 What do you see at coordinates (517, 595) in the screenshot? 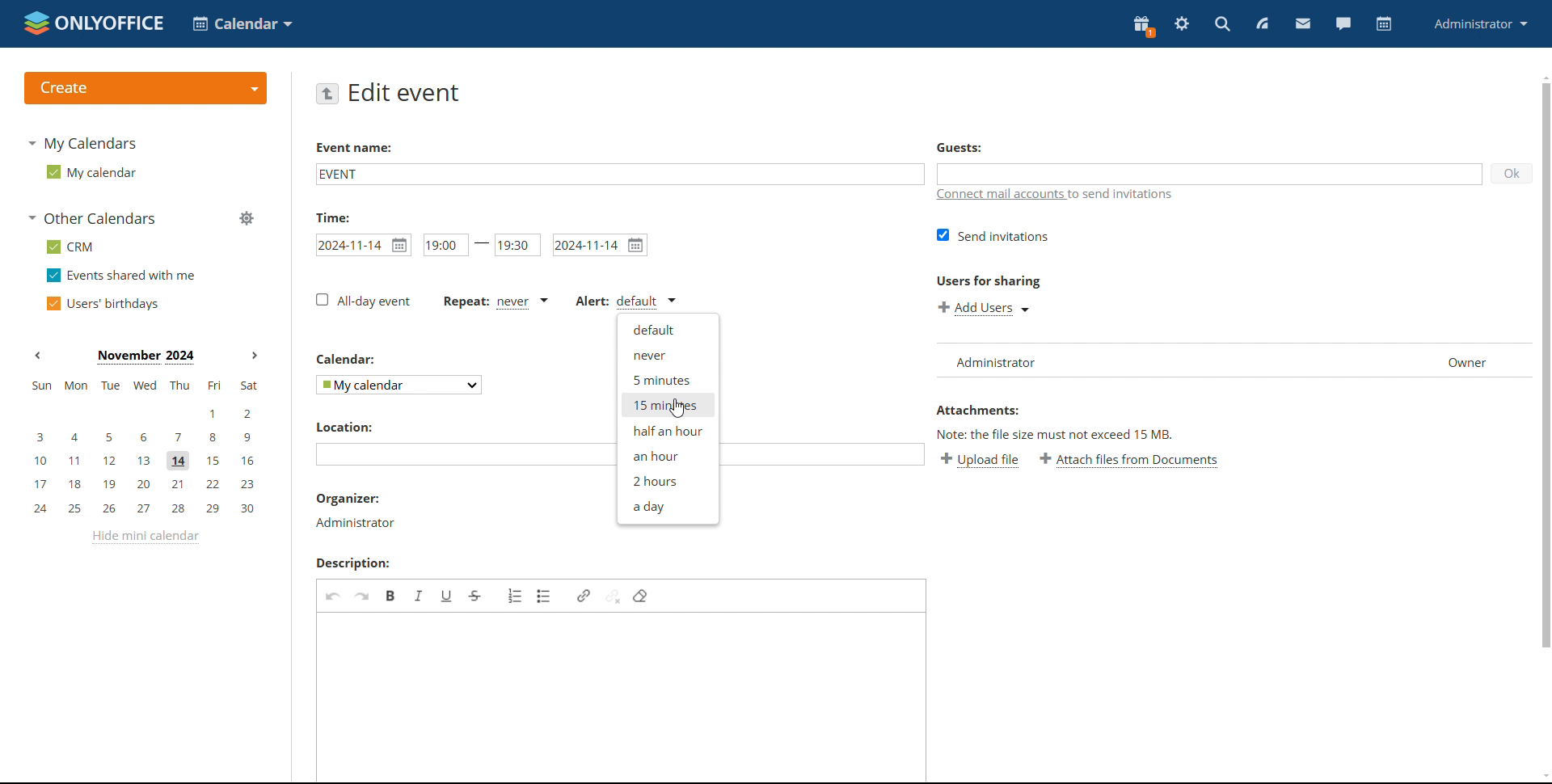
I see `insert/remove numbered list` at bounding box center [517, 595].